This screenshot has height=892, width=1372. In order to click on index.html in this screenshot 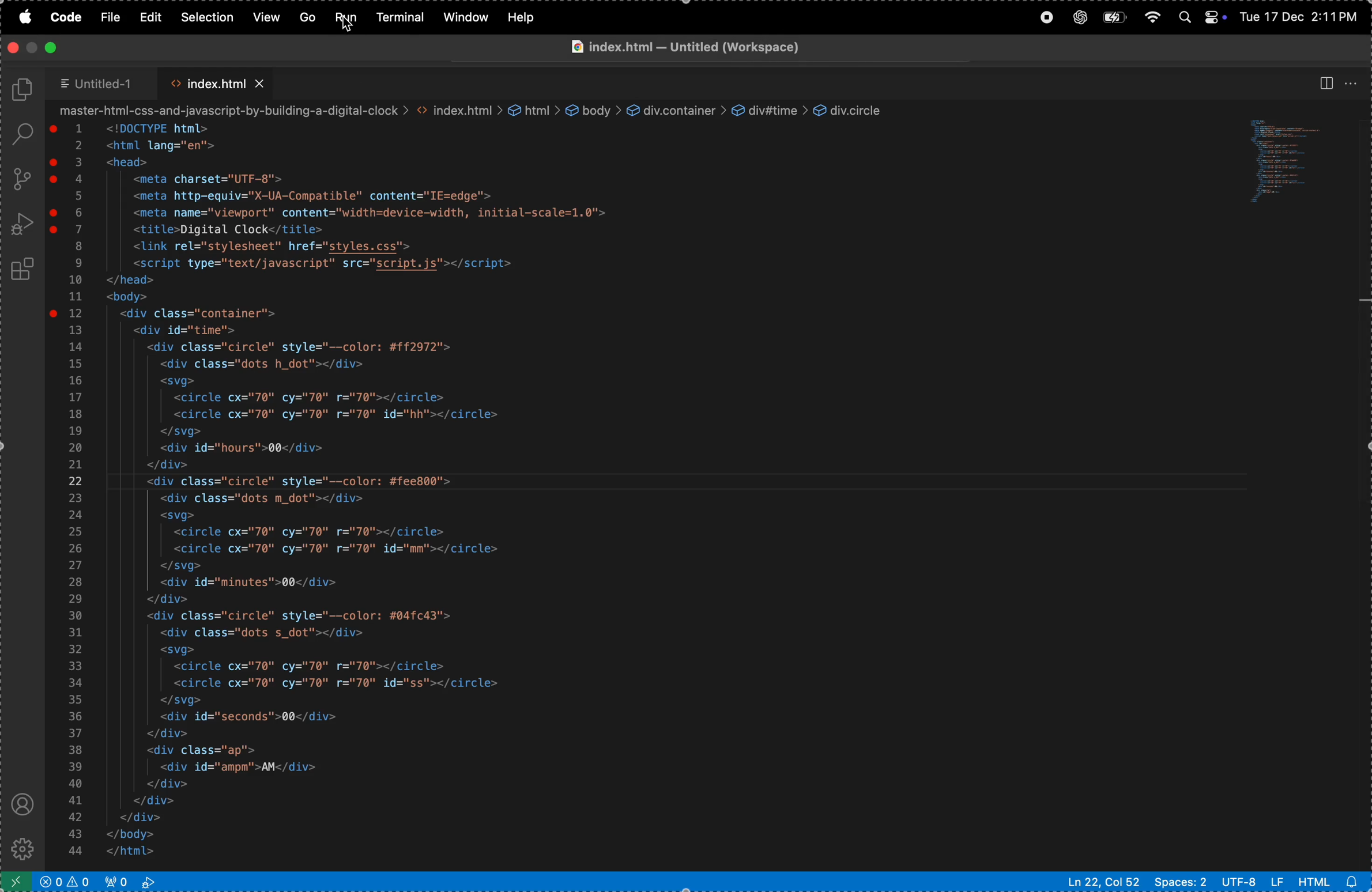, I will do `click(216, 81)`.